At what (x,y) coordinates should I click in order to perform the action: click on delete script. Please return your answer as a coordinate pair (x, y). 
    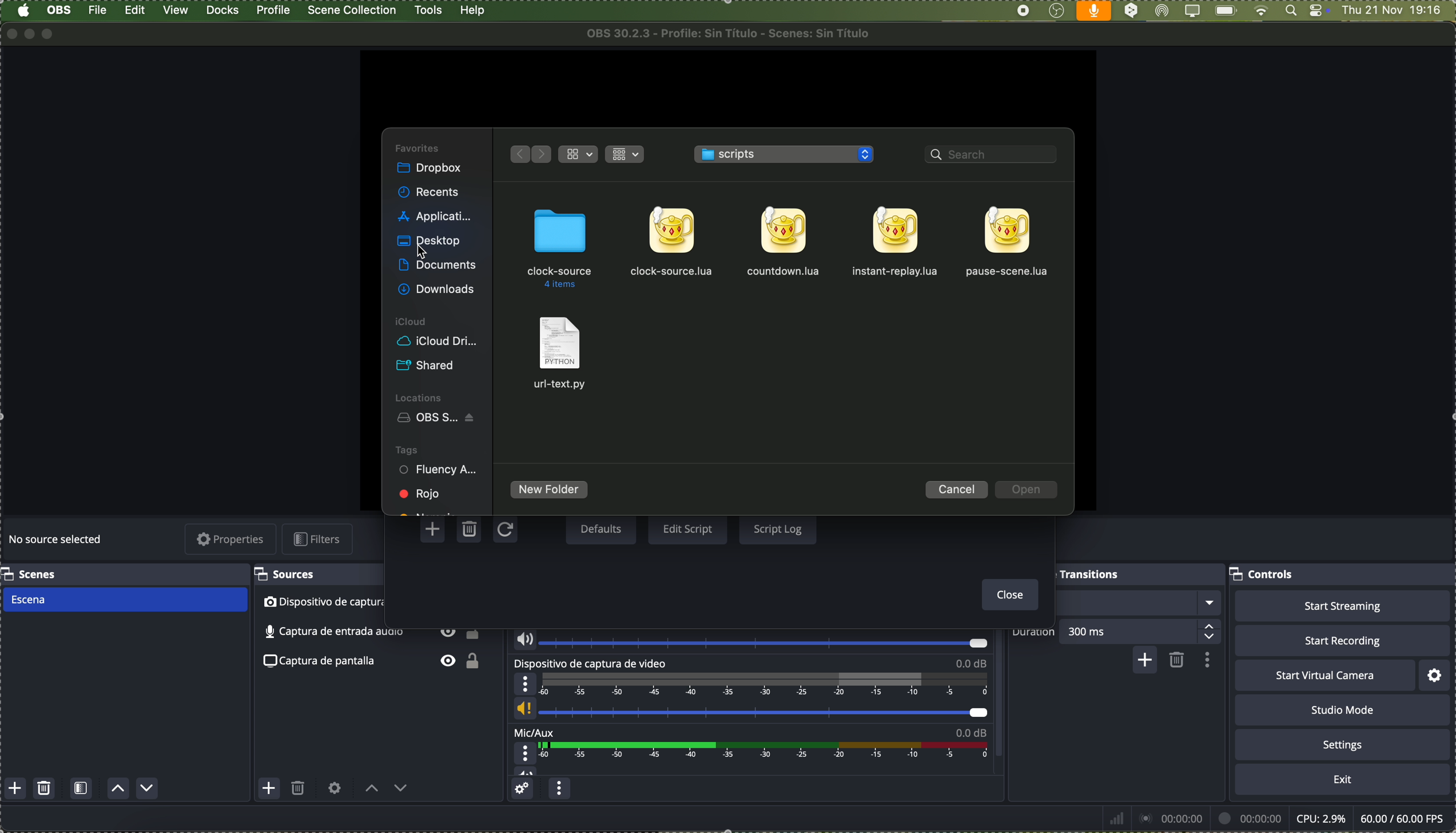
    Looking at the image, I should click on (471, 531).